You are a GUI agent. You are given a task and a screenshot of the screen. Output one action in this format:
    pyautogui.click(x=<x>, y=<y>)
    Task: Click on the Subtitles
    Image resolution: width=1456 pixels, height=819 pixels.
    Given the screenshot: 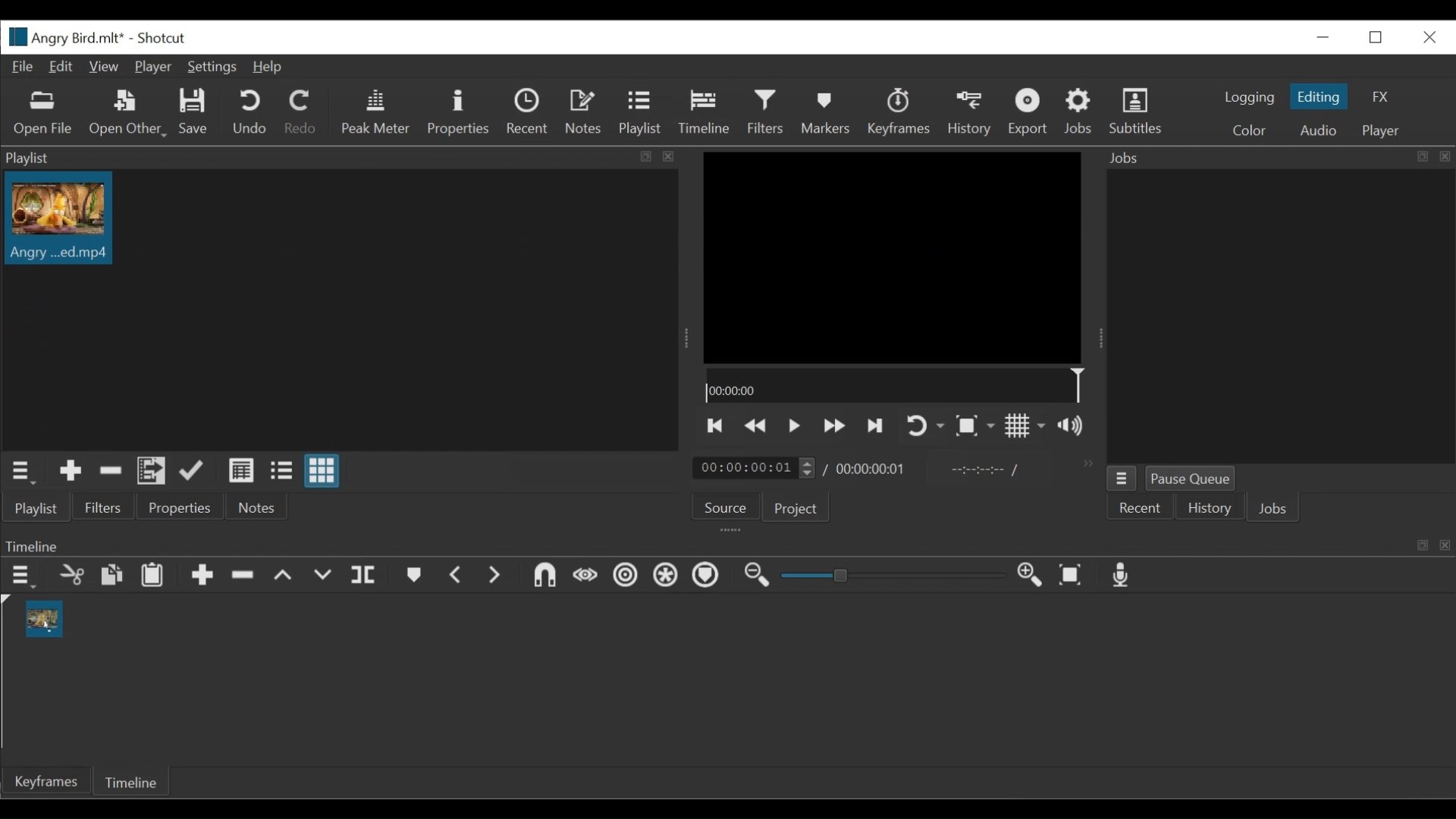 What is the action you would take?
    pyautogui.click(x=1140, y=114)
    